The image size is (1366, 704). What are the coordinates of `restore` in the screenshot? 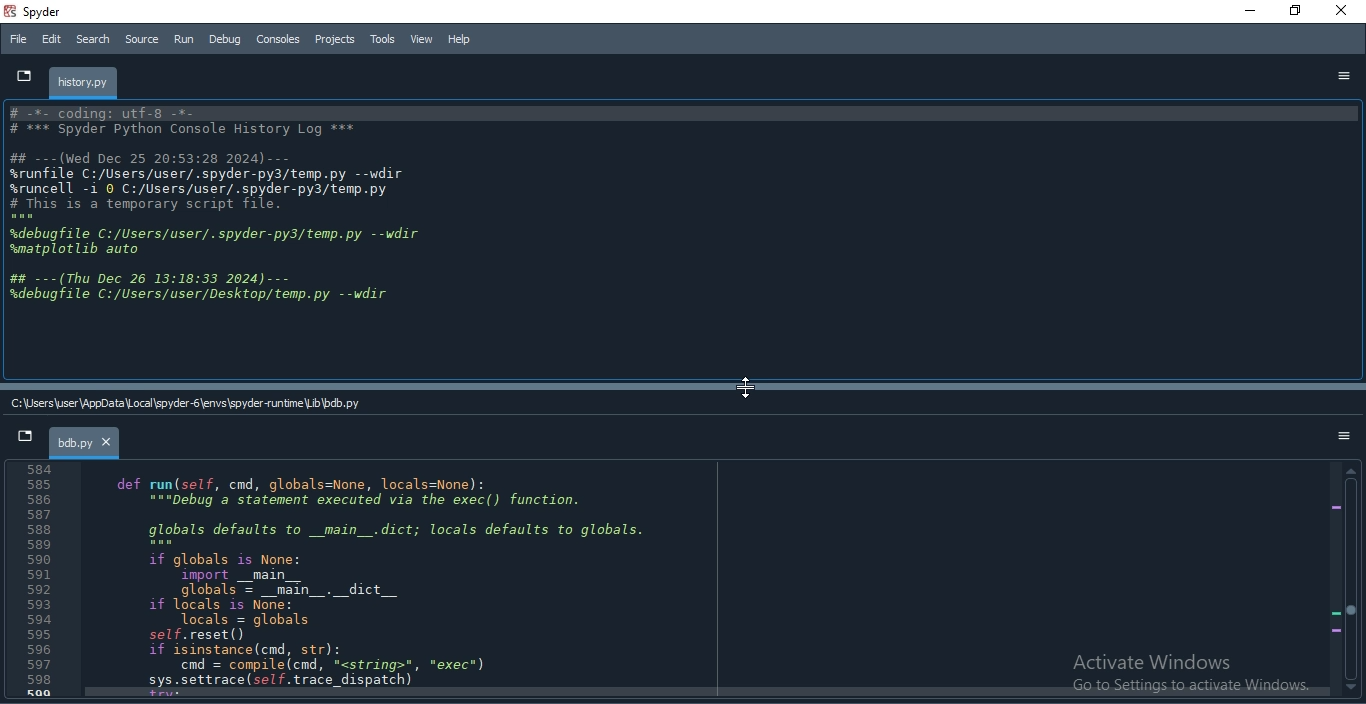 It's located at (1296, 12).